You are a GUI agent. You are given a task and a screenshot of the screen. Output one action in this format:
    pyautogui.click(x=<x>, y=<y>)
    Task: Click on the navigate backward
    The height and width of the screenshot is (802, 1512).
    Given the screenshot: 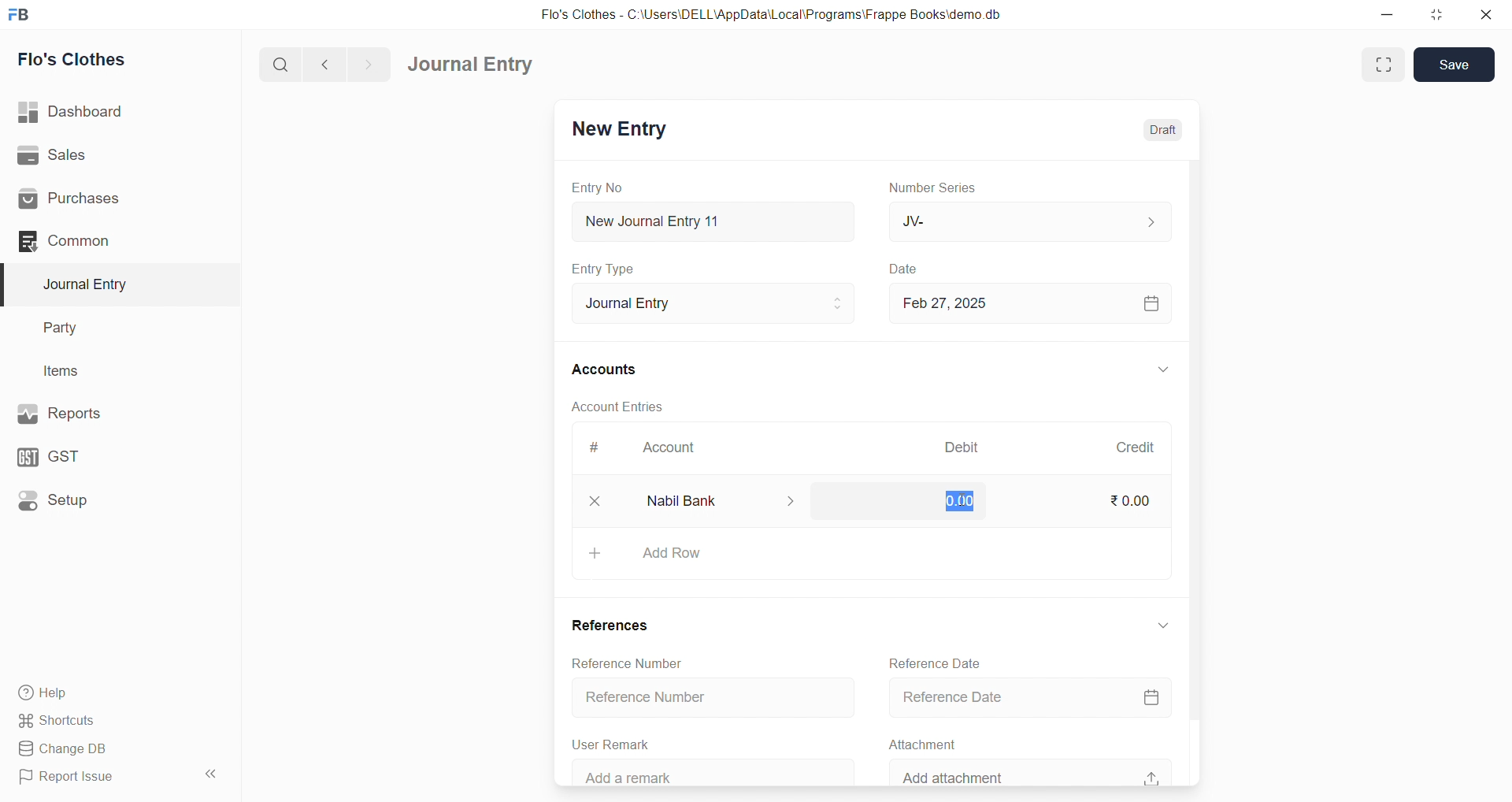 What is the action you would take?
    pyautogui.click(x=327, y=65)
    